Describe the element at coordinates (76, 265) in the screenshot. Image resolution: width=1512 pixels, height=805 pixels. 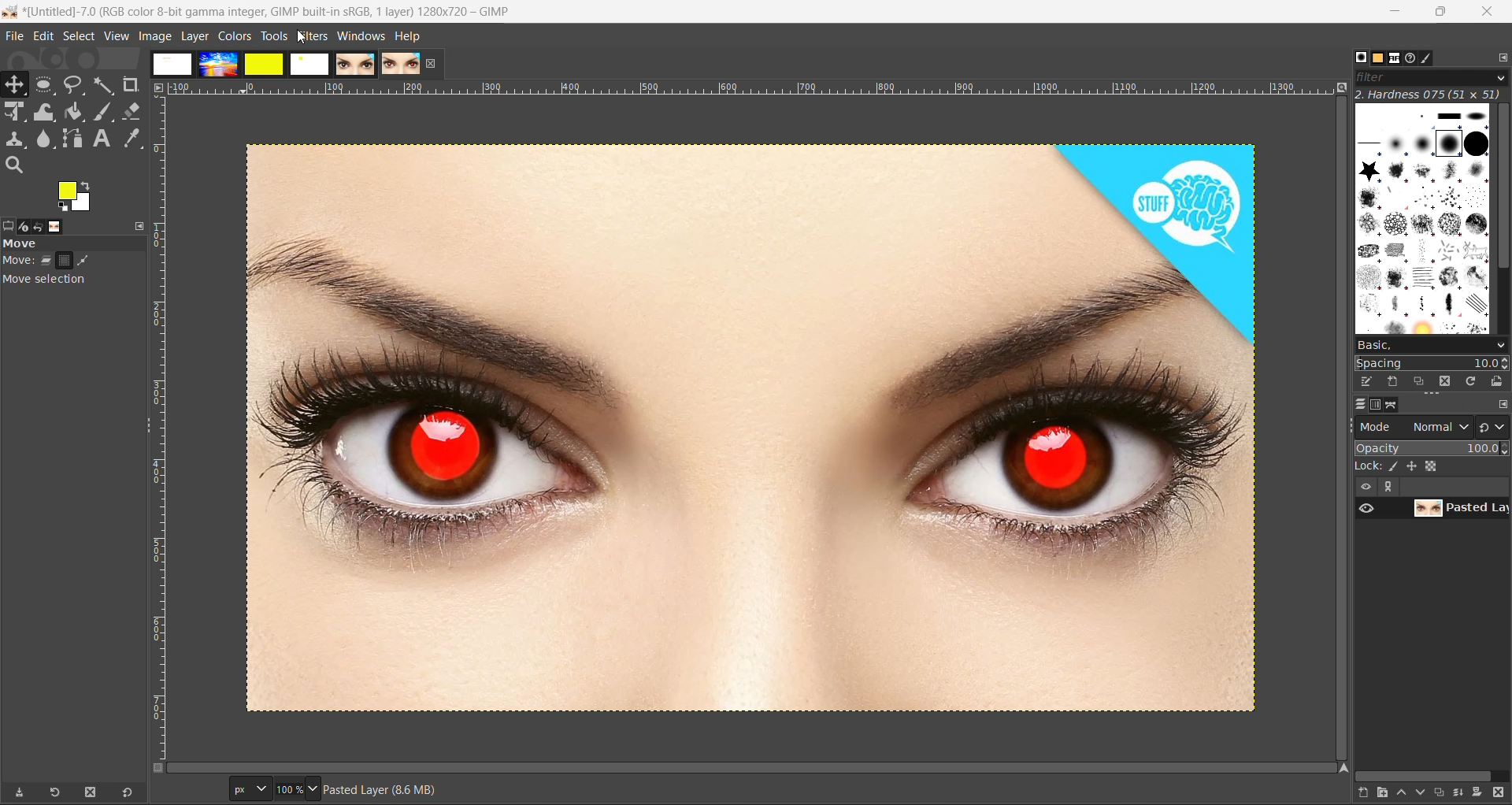
I see `move` at that location.